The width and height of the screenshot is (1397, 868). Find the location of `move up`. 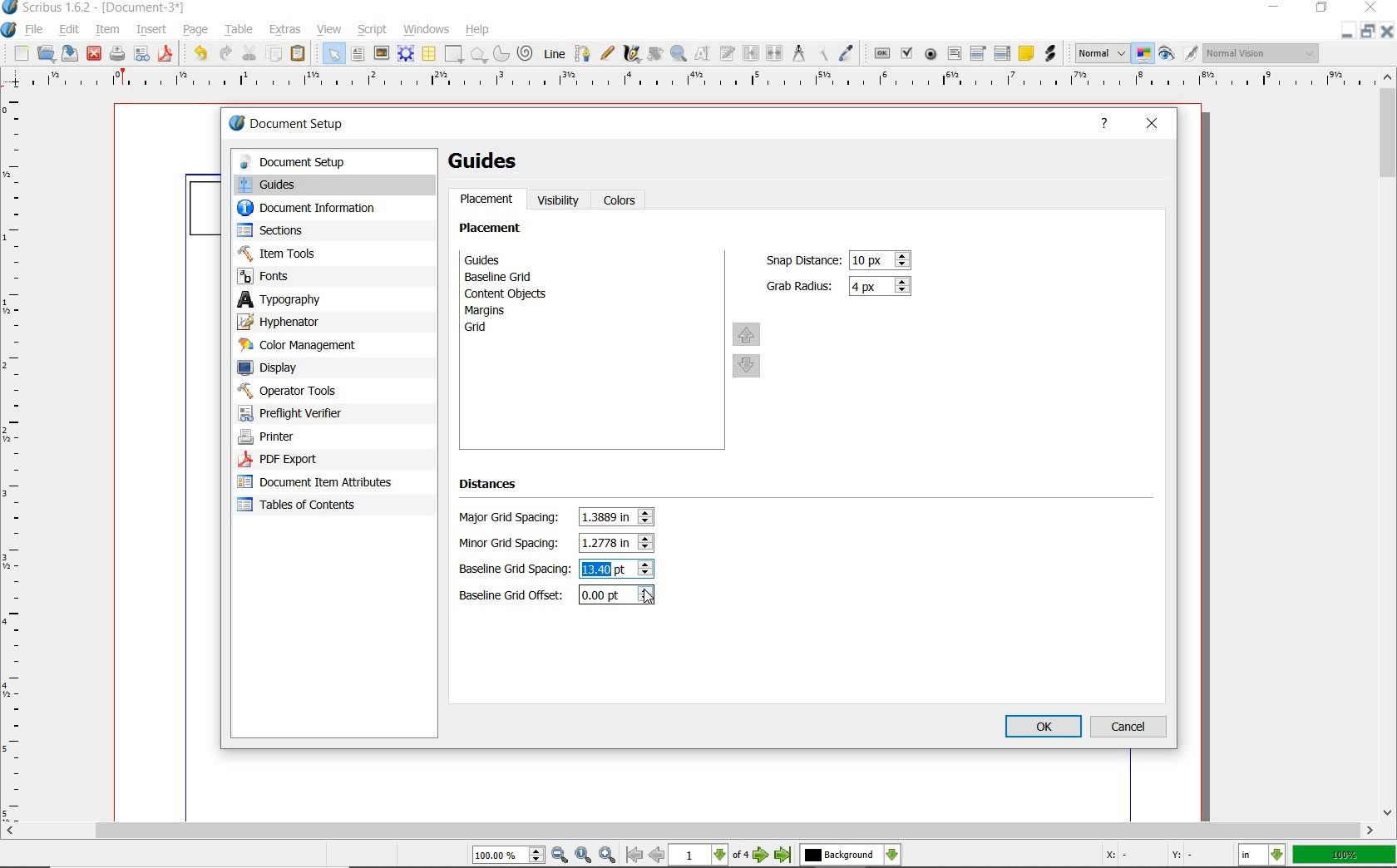

move up is located at coordinates (747, 333).